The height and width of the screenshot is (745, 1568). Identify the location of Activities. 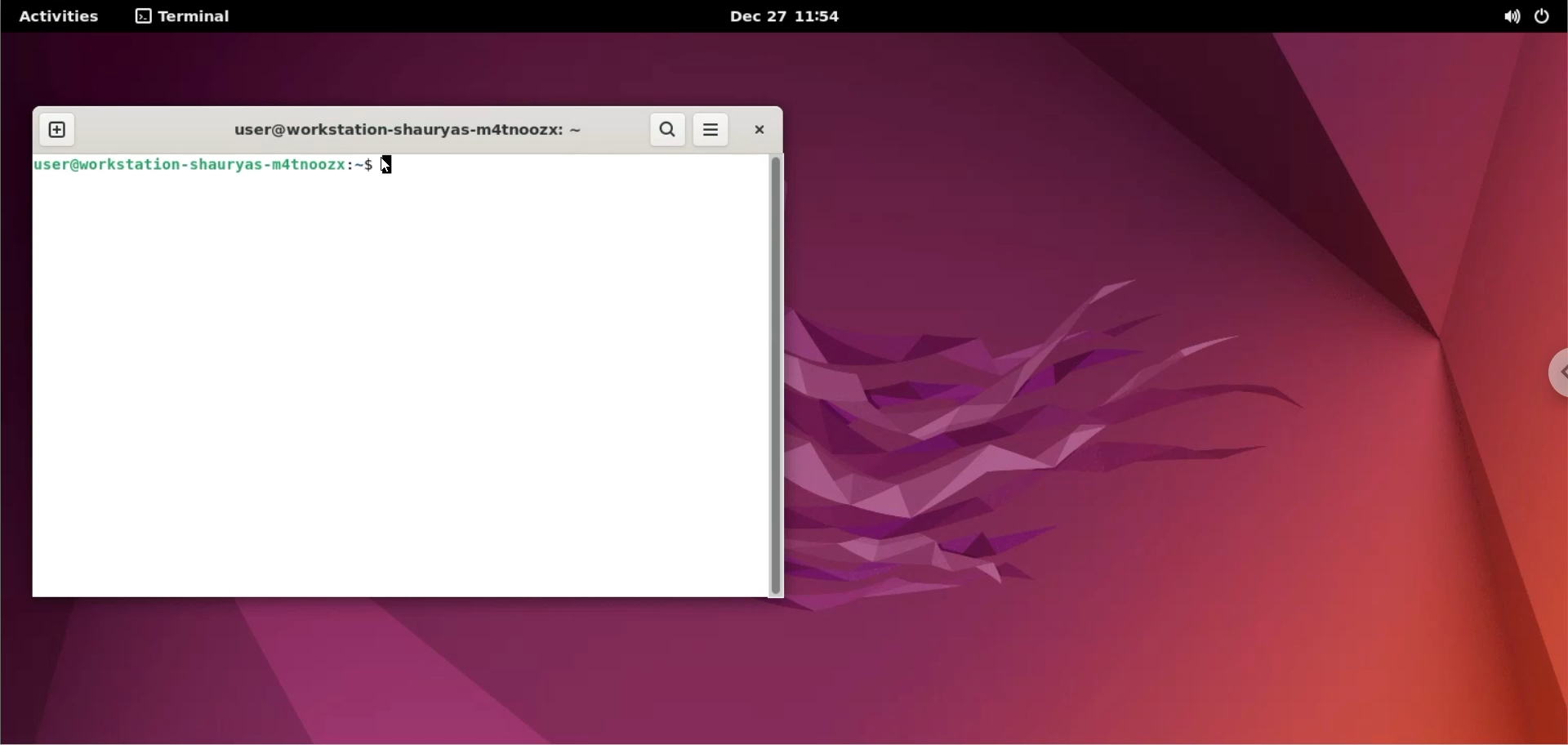
(58, 17).